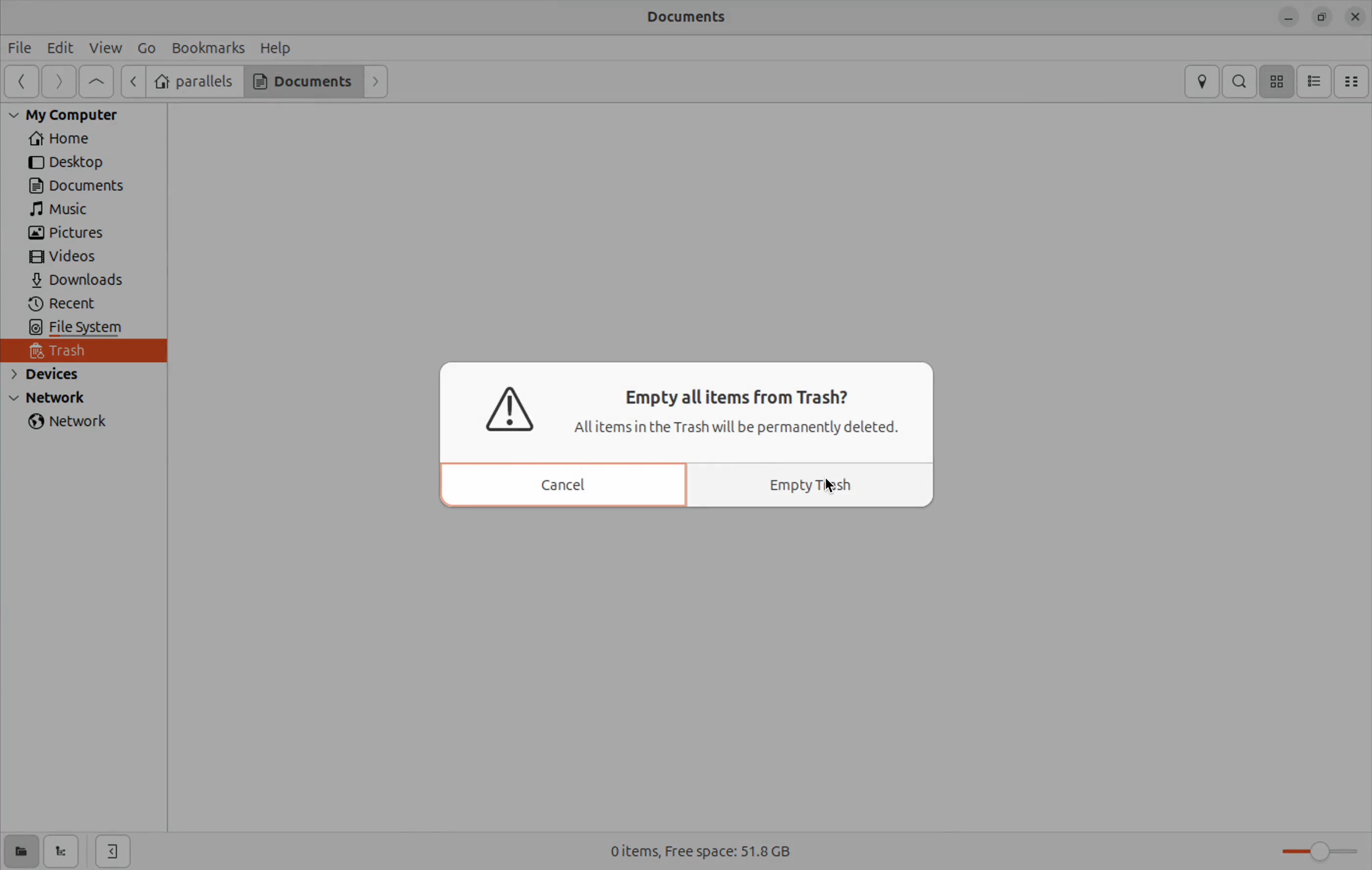  What do you see at coordinates (1239, 80) in the screenshot?
I see `search` at bounding box center [1239, 80].